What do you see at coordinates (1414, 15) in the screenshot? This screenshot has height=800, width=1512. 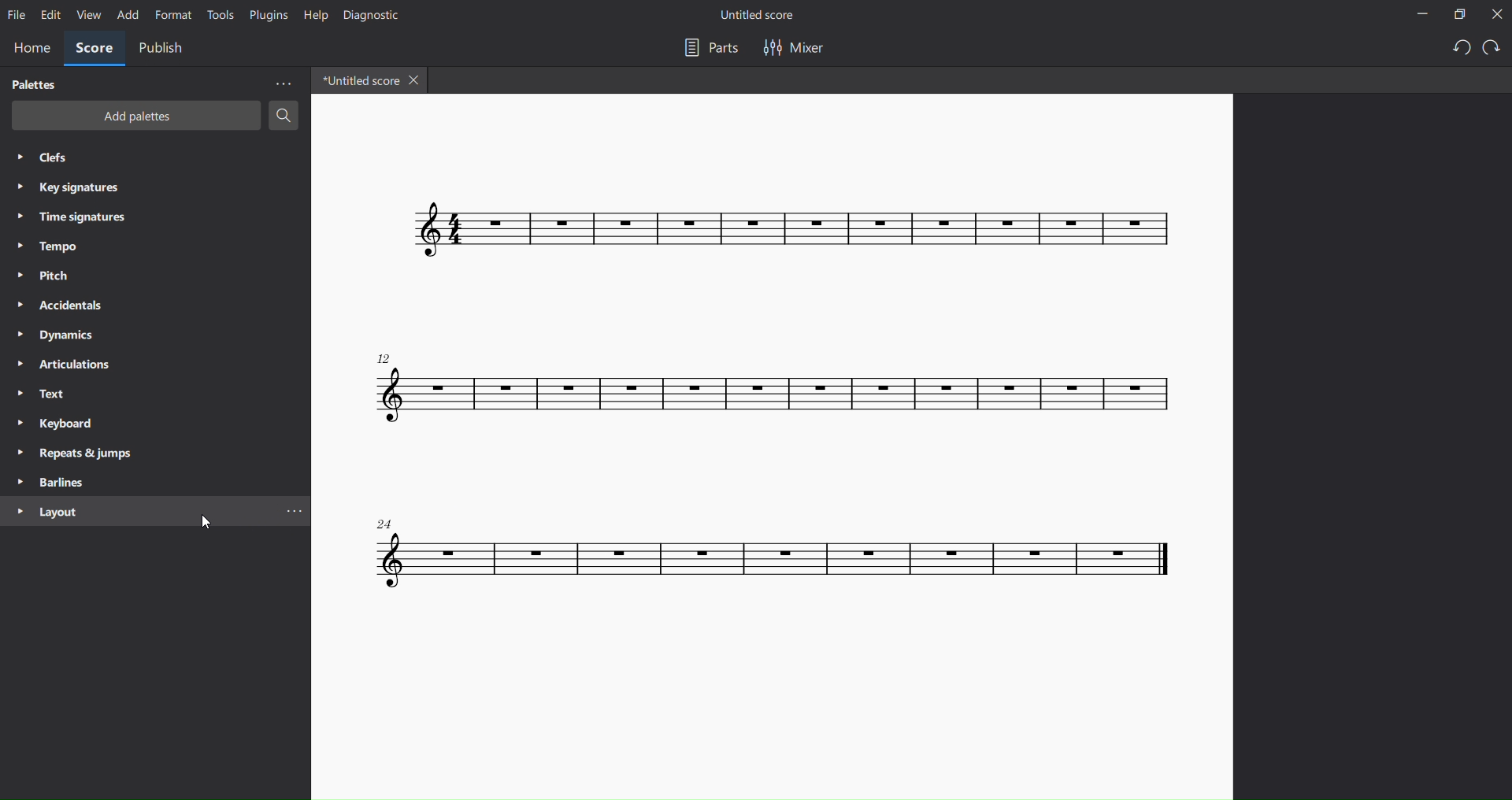 I see `minimize` at bounding box center [1414, 15].